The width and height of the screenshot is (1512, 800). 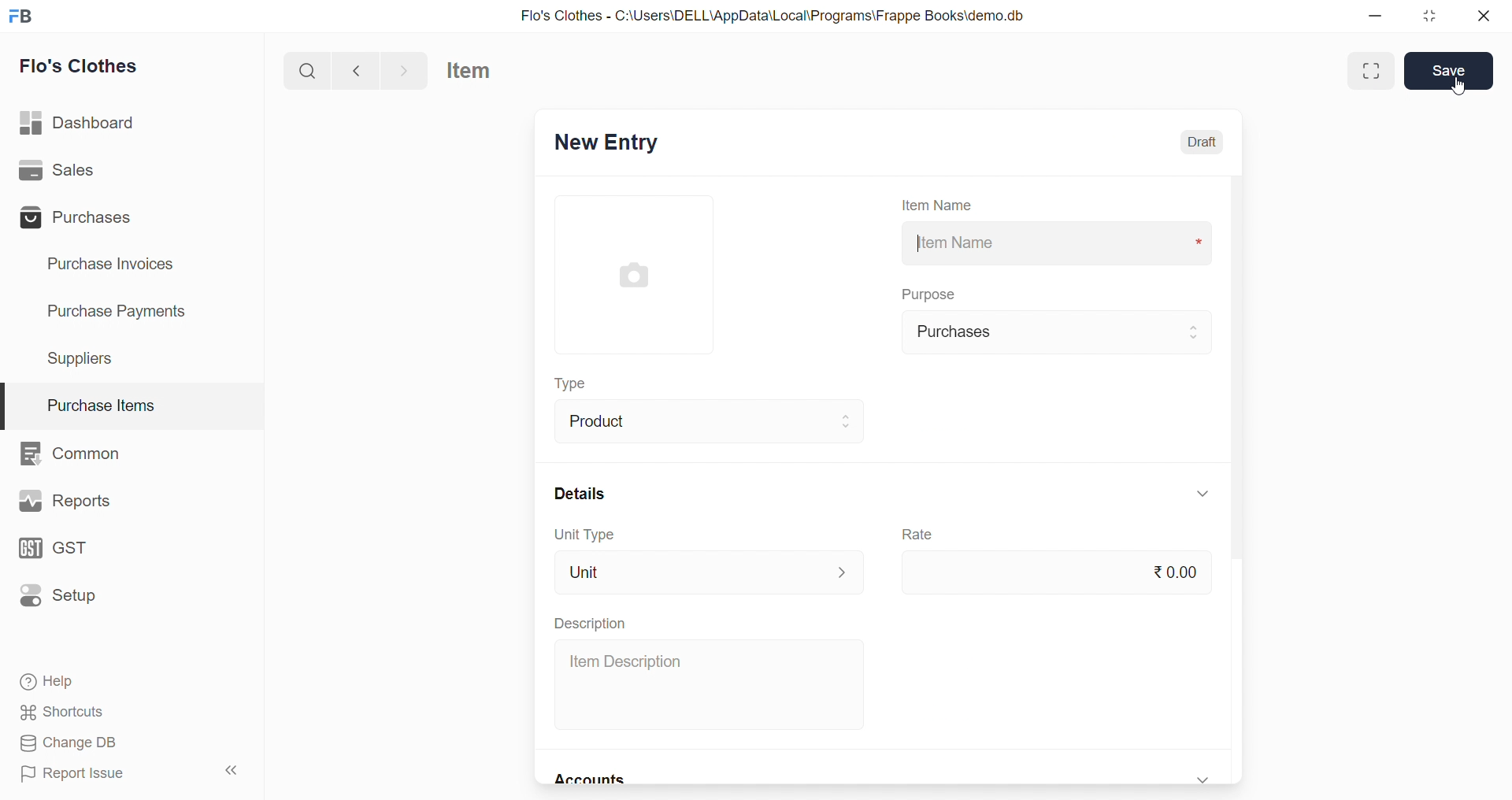 What do you see at coordinates (80, 217) in the screenshot?
I see `Purchases` at bounding box center [80, 217].